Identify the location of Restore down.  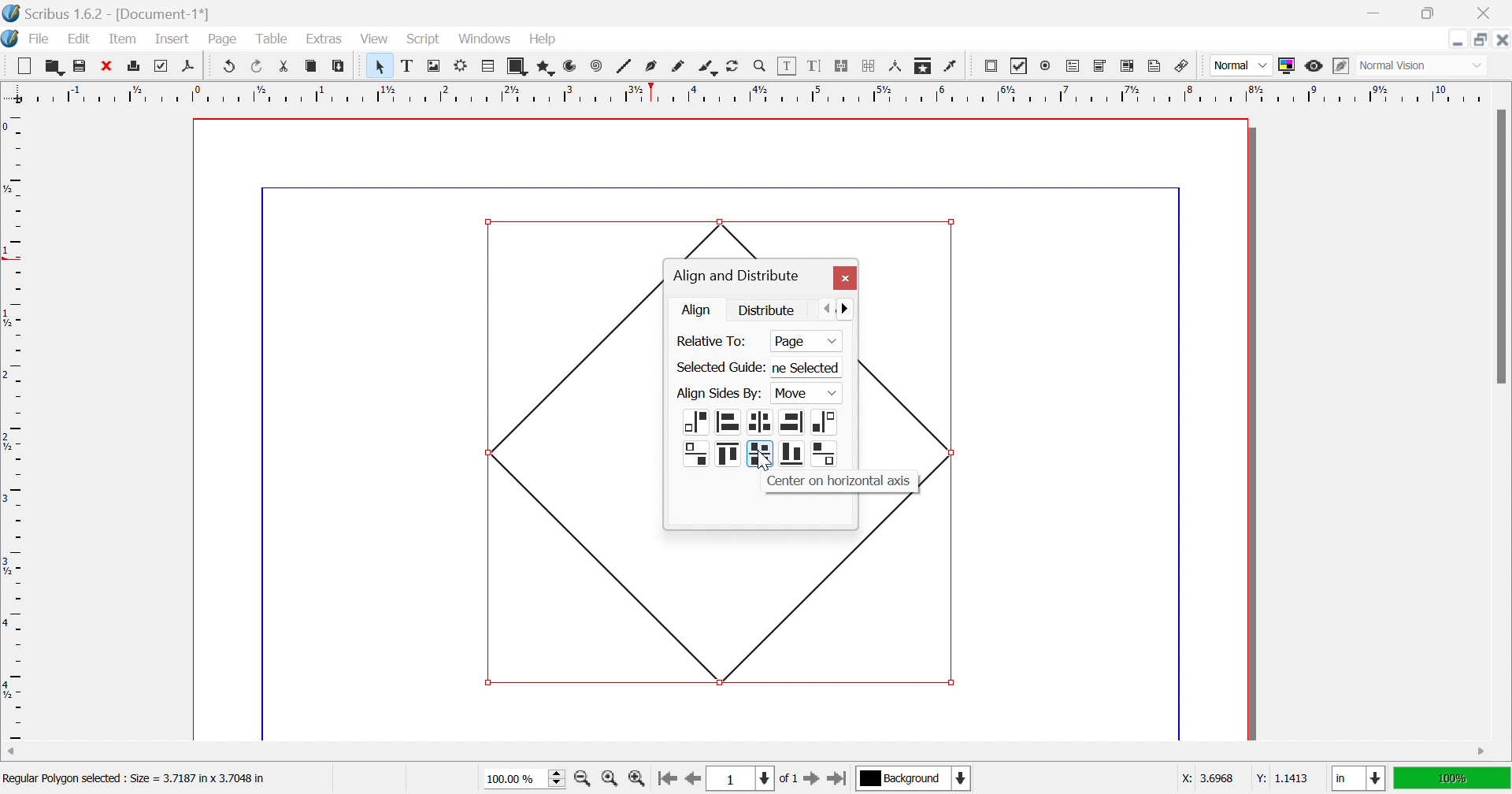
(1481, 39).